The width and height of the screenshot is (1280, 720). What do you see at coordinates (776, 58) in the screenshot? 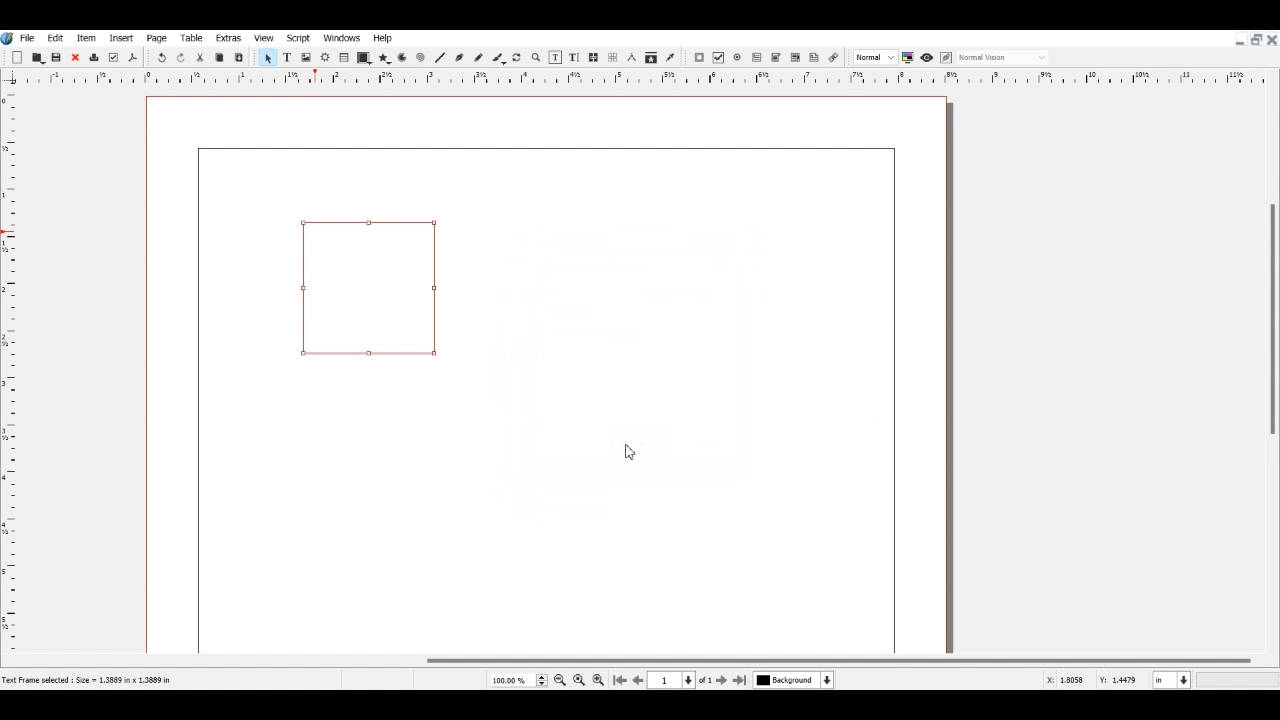
I see `PDF Combo Box` at bounding box center [776, 58].